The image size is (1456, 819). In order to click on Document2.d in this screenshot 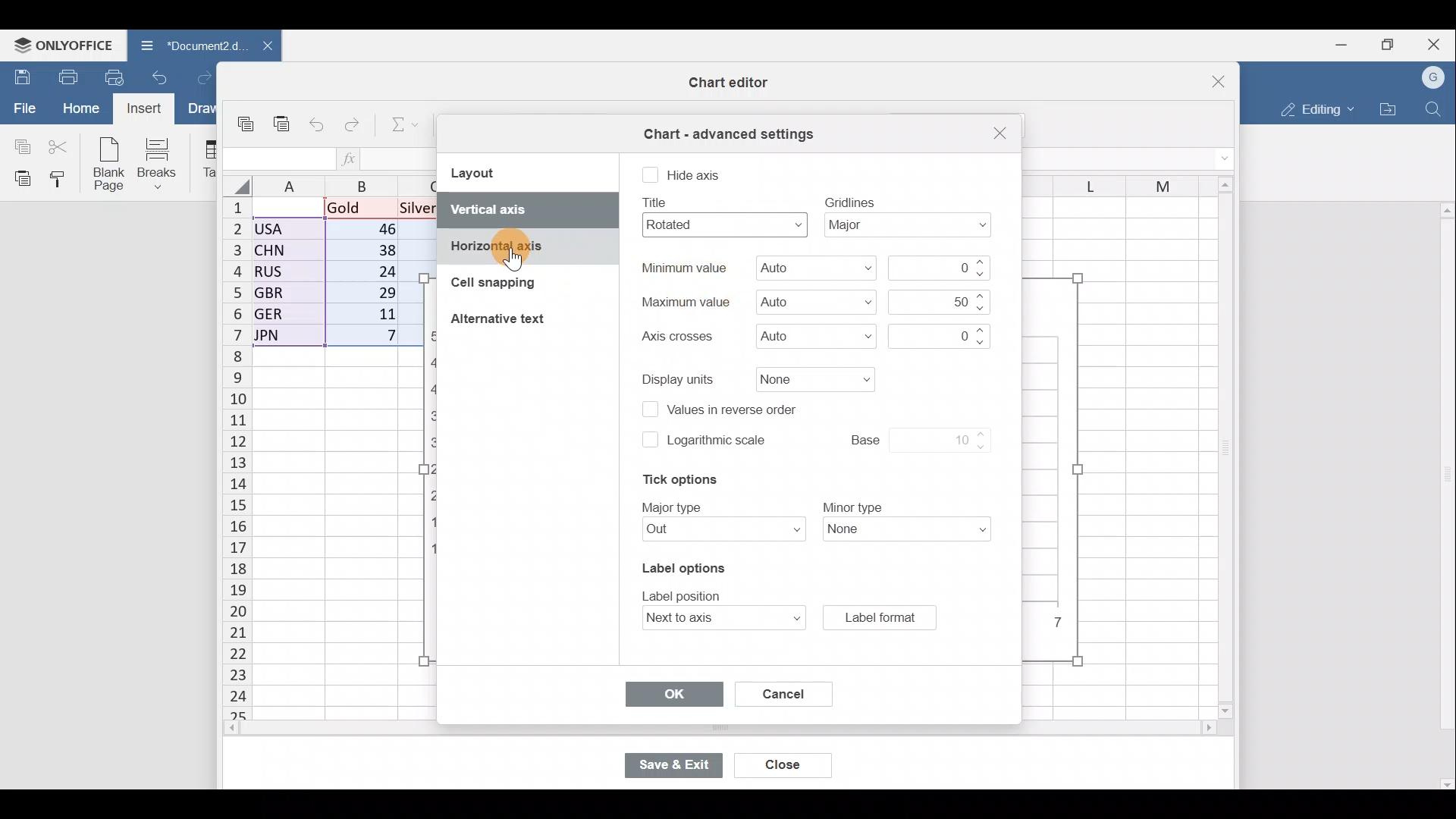, I will do `click(186, 45)`.